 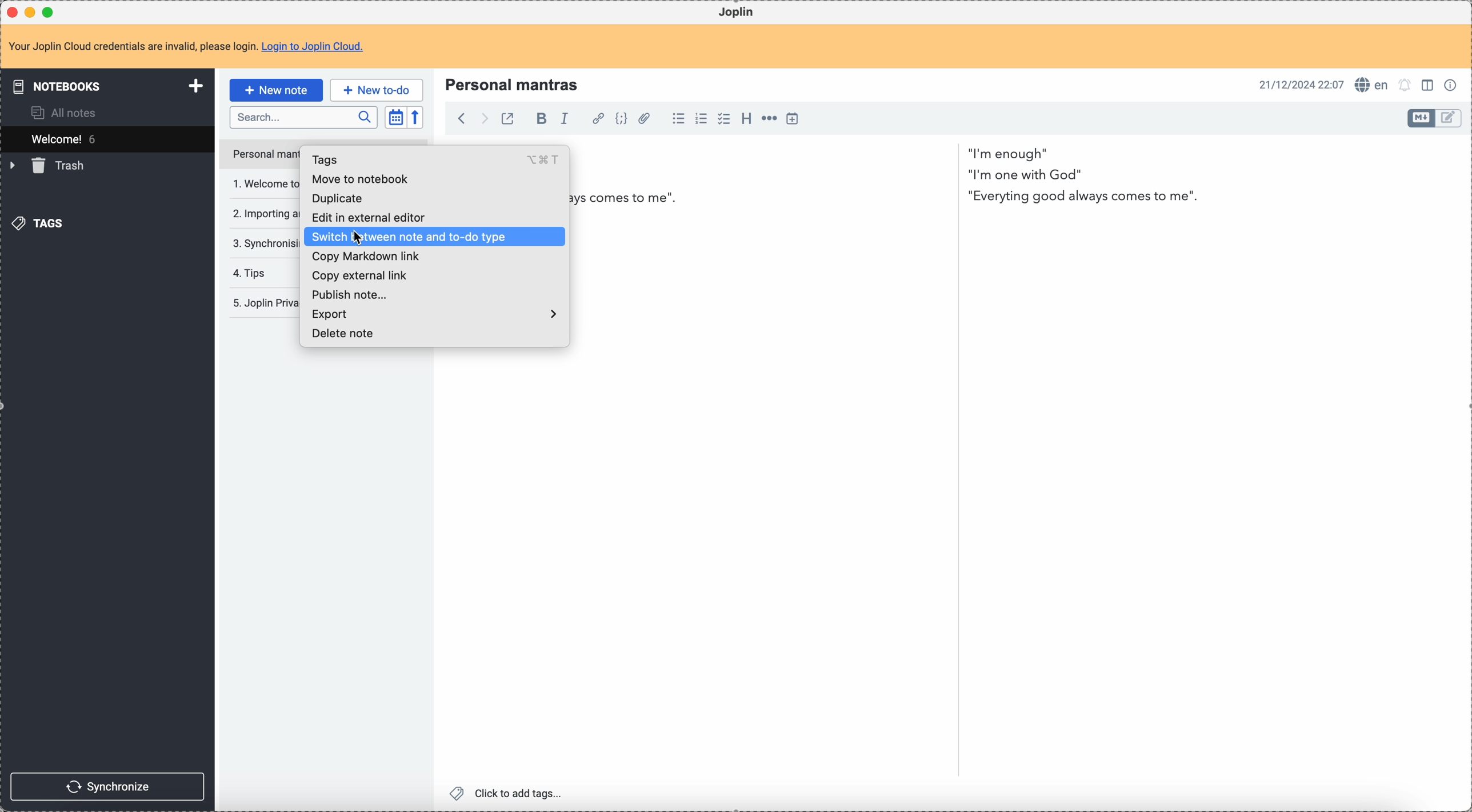 What do you see at coordinates (264, 303) in the screenshot?
I see `Joplin privacy policy` at bounding box center [264, 303].